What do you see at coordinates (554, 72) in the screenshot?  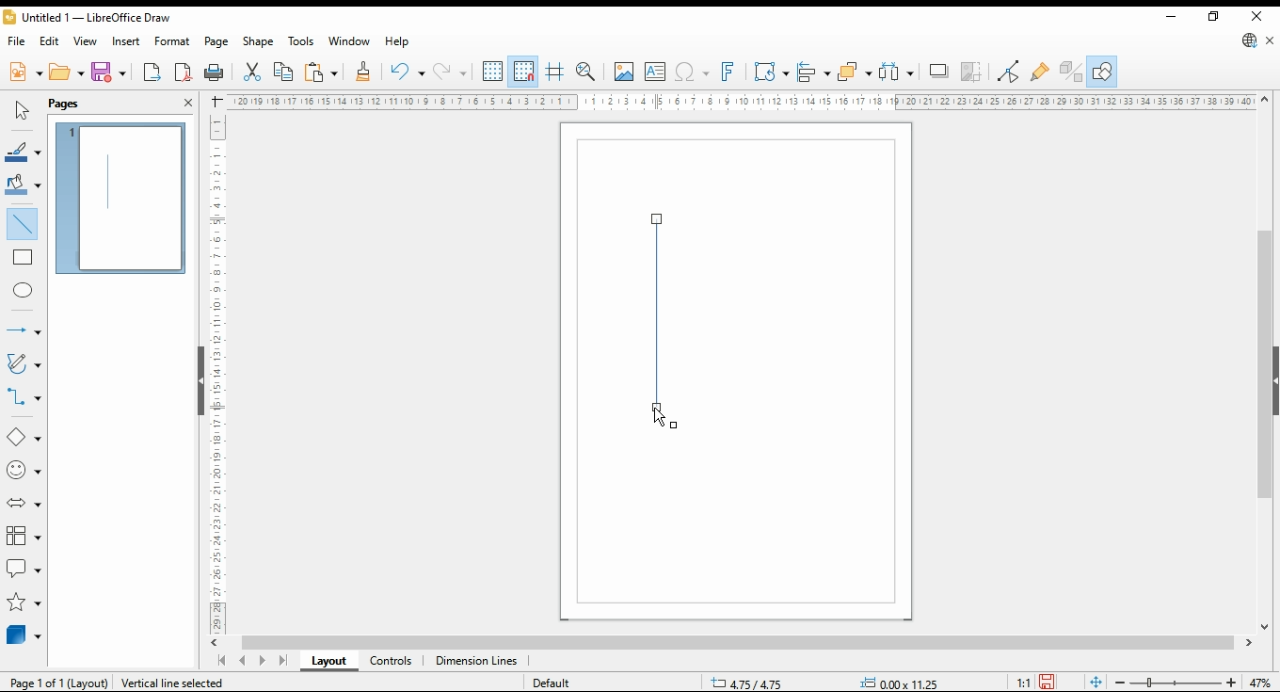 I see `helplines while moving` at bounding box center [554, 72].